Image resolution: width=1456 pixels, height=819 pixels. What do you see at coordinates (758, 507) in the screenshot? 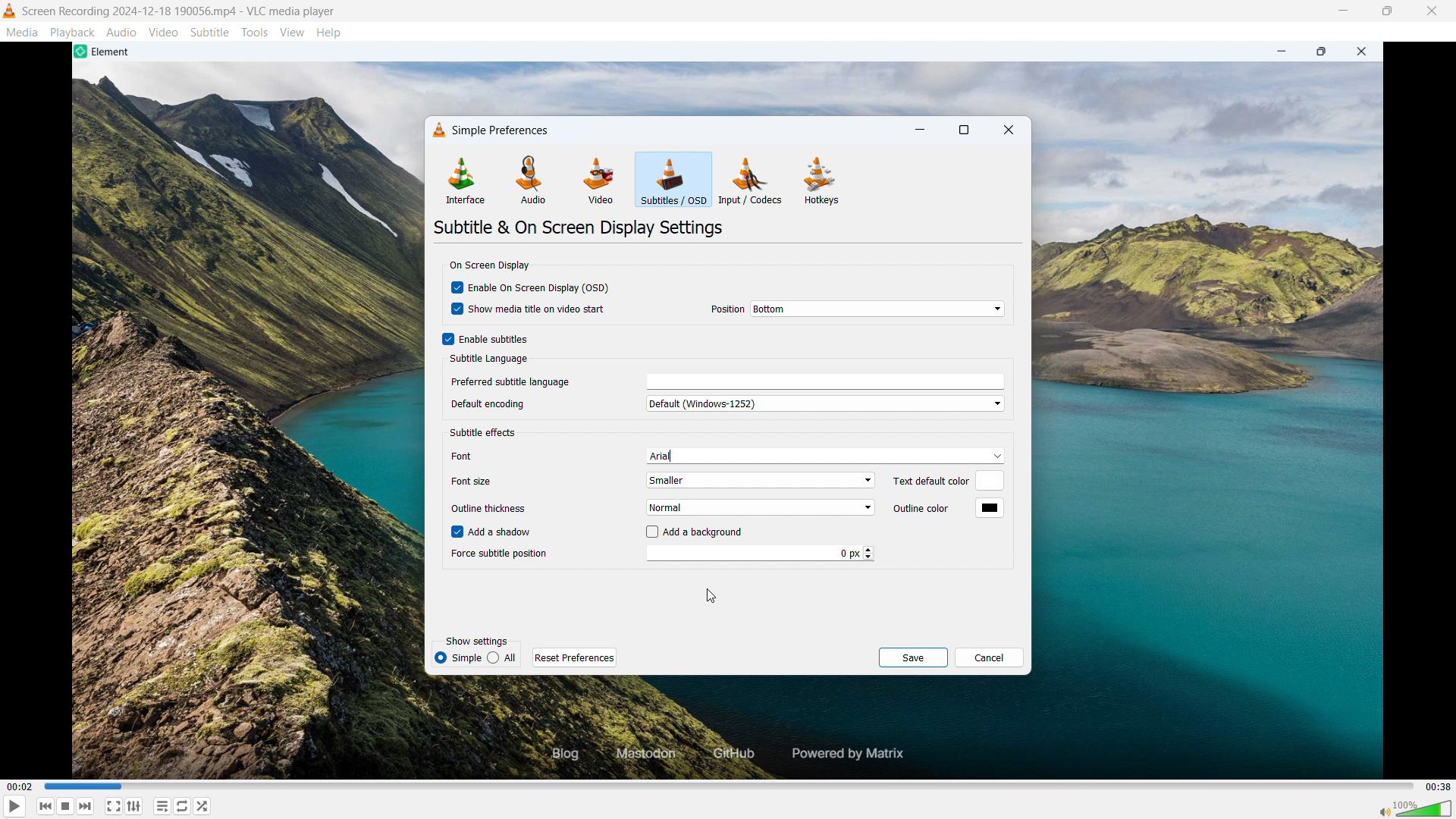
I see `set outline thickness` at bounding box center [758, 507].